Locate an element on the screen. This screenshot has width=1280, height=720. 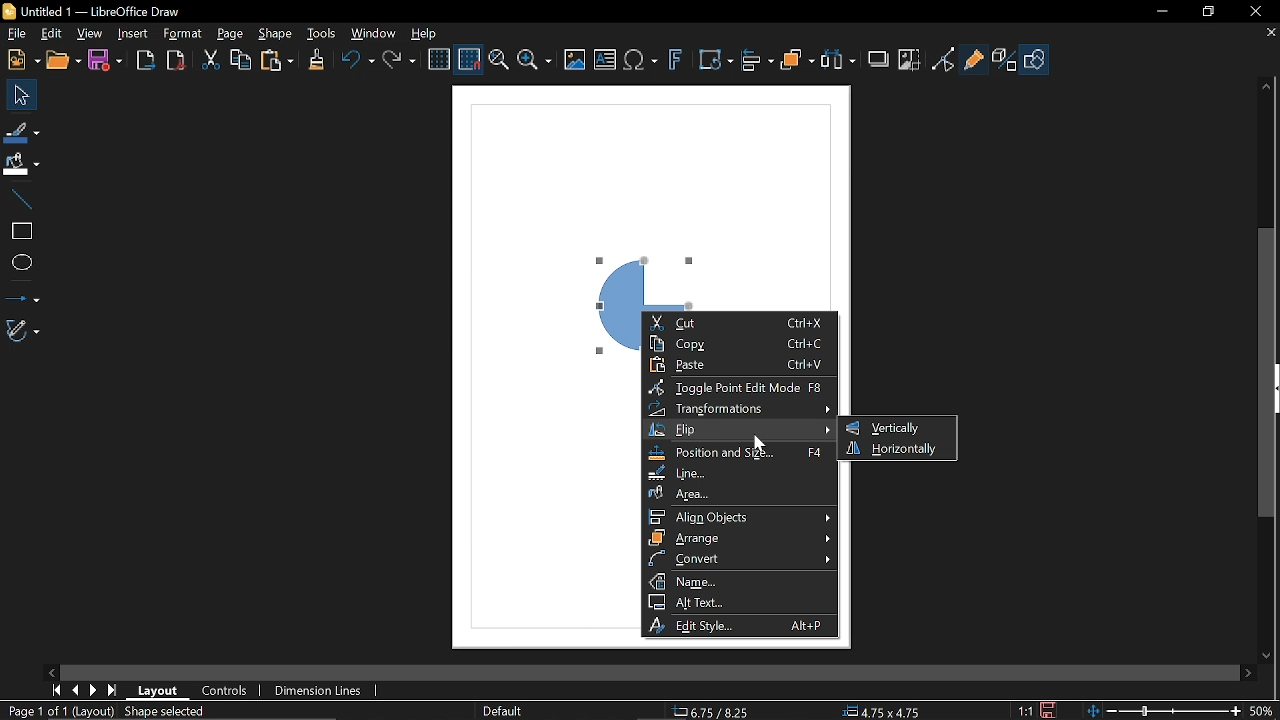
Shapes is located at coordinates (1036, 60).